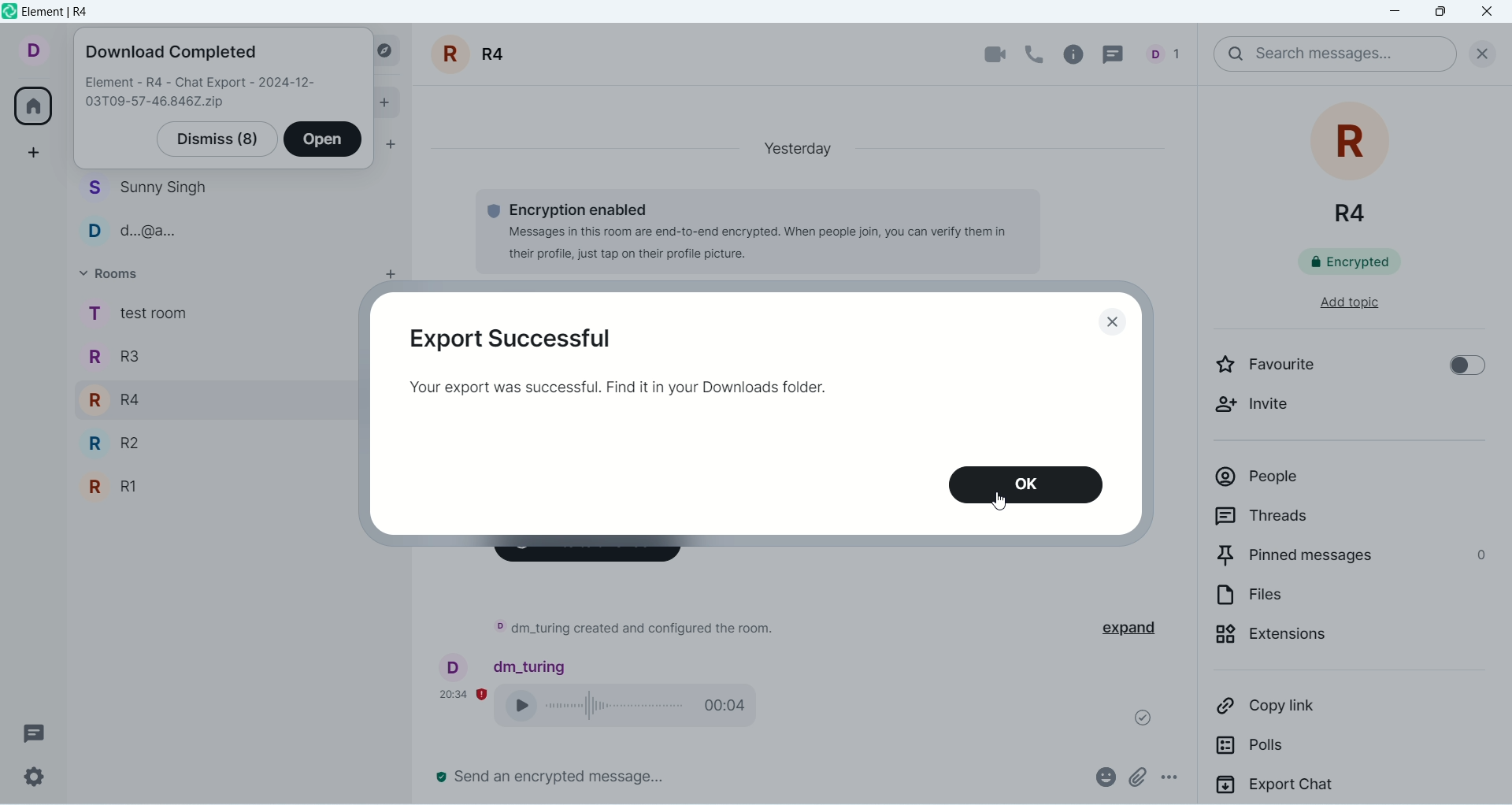  I want to click on dismiss, so click(216, 139).